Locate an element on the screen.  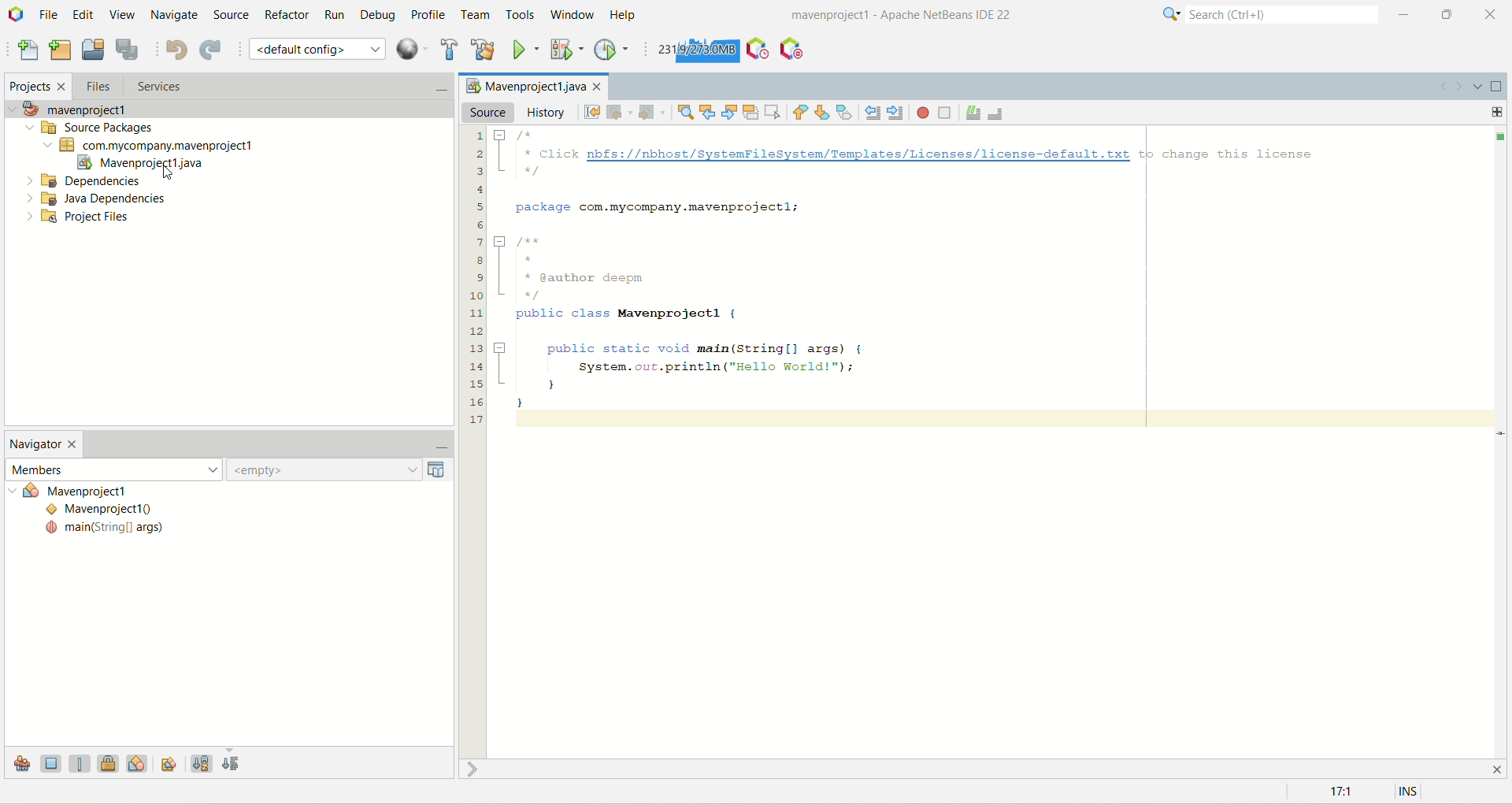
lines of code is located at coordinates (476, 276).